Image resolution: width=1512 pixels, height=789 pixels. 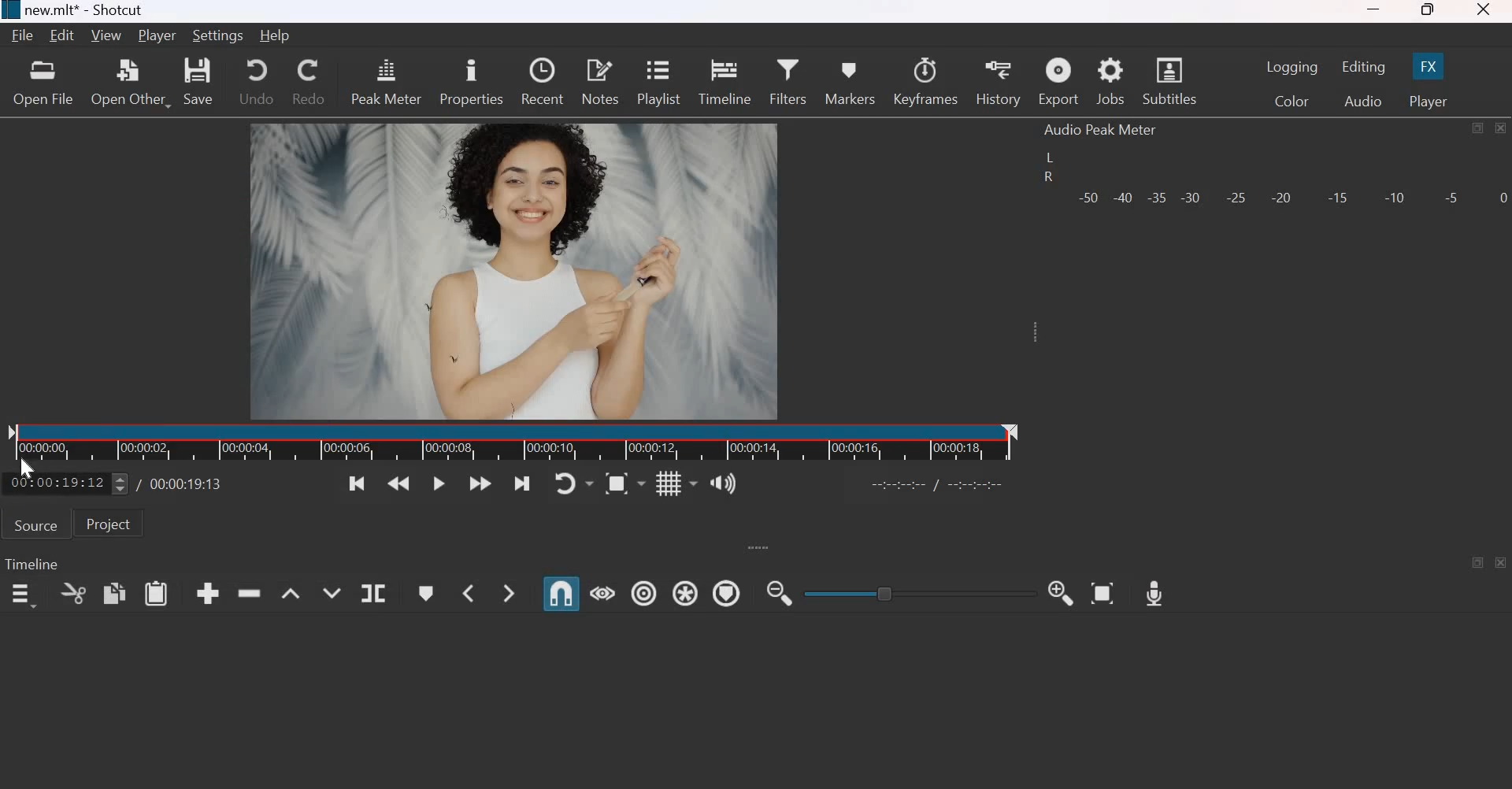 I want to click on Keyframes, so click(x=926, y=81).